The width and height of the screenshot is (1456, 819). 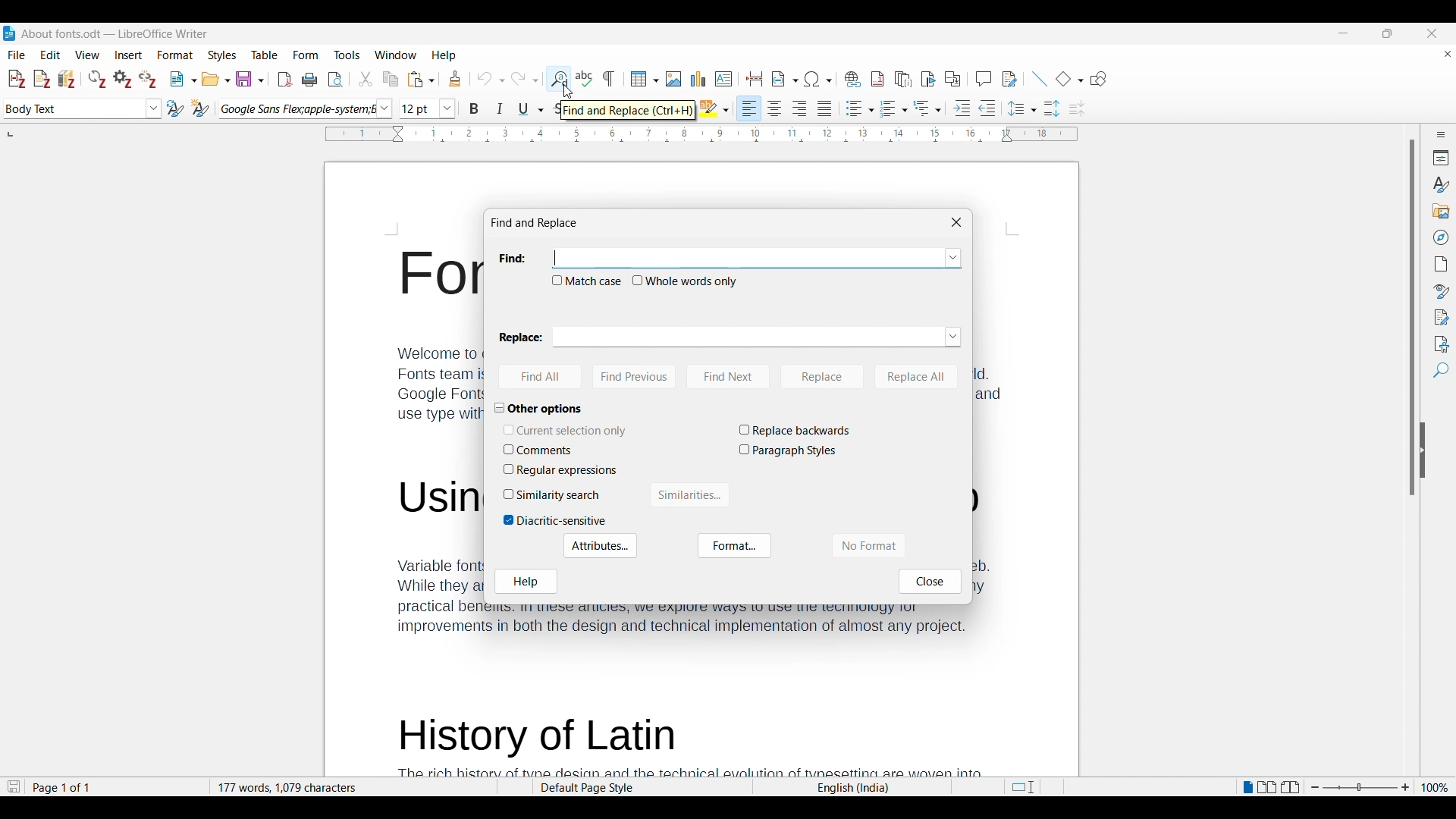 I want to click on Similarities, so click(x=690, y=494).